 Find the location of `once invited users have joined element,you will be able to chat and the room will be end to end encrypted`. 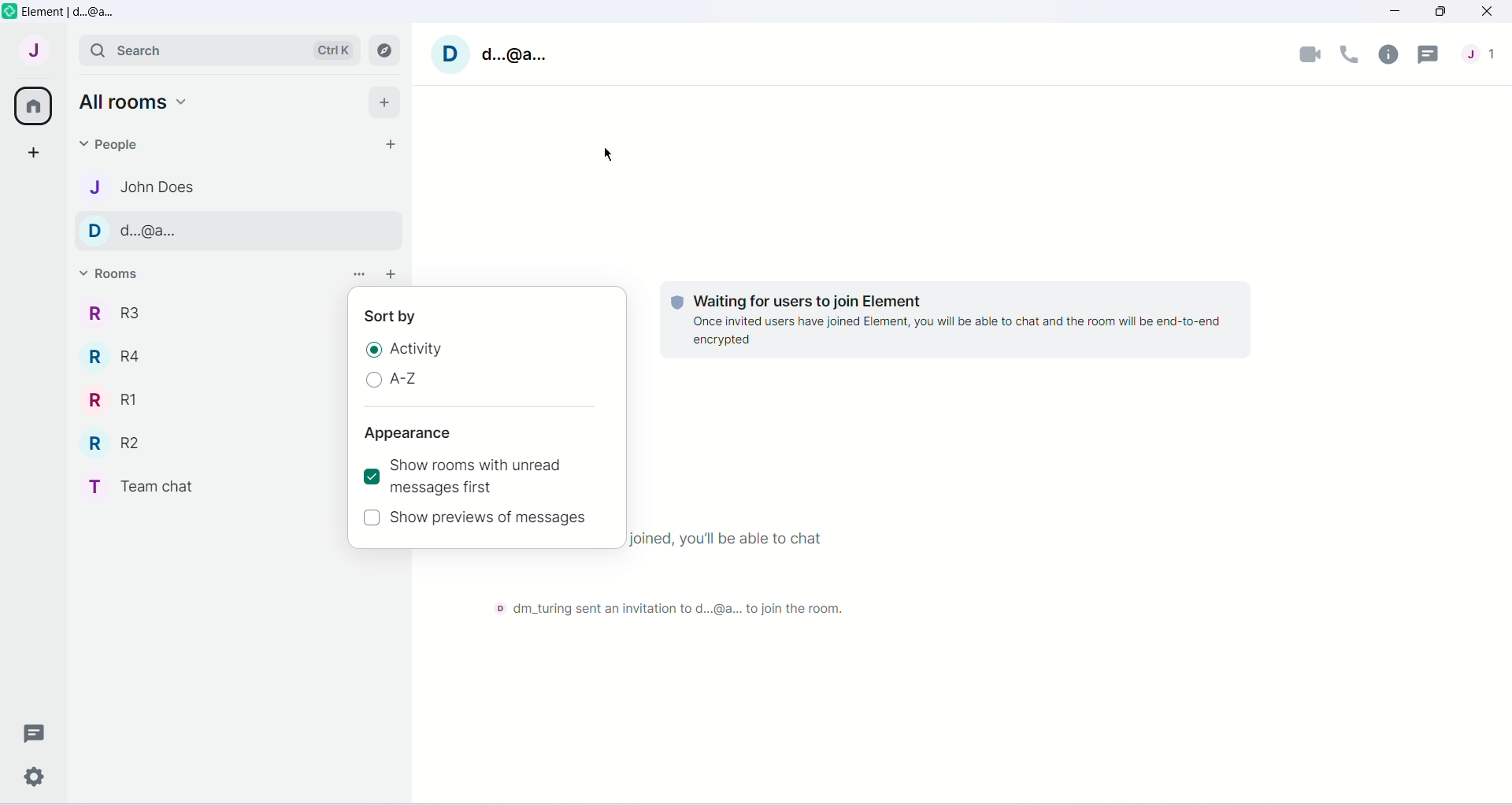

once invited users have joined element,you will be able to chat and the room will be end to end encrypted is located at coordinates (957, 331).